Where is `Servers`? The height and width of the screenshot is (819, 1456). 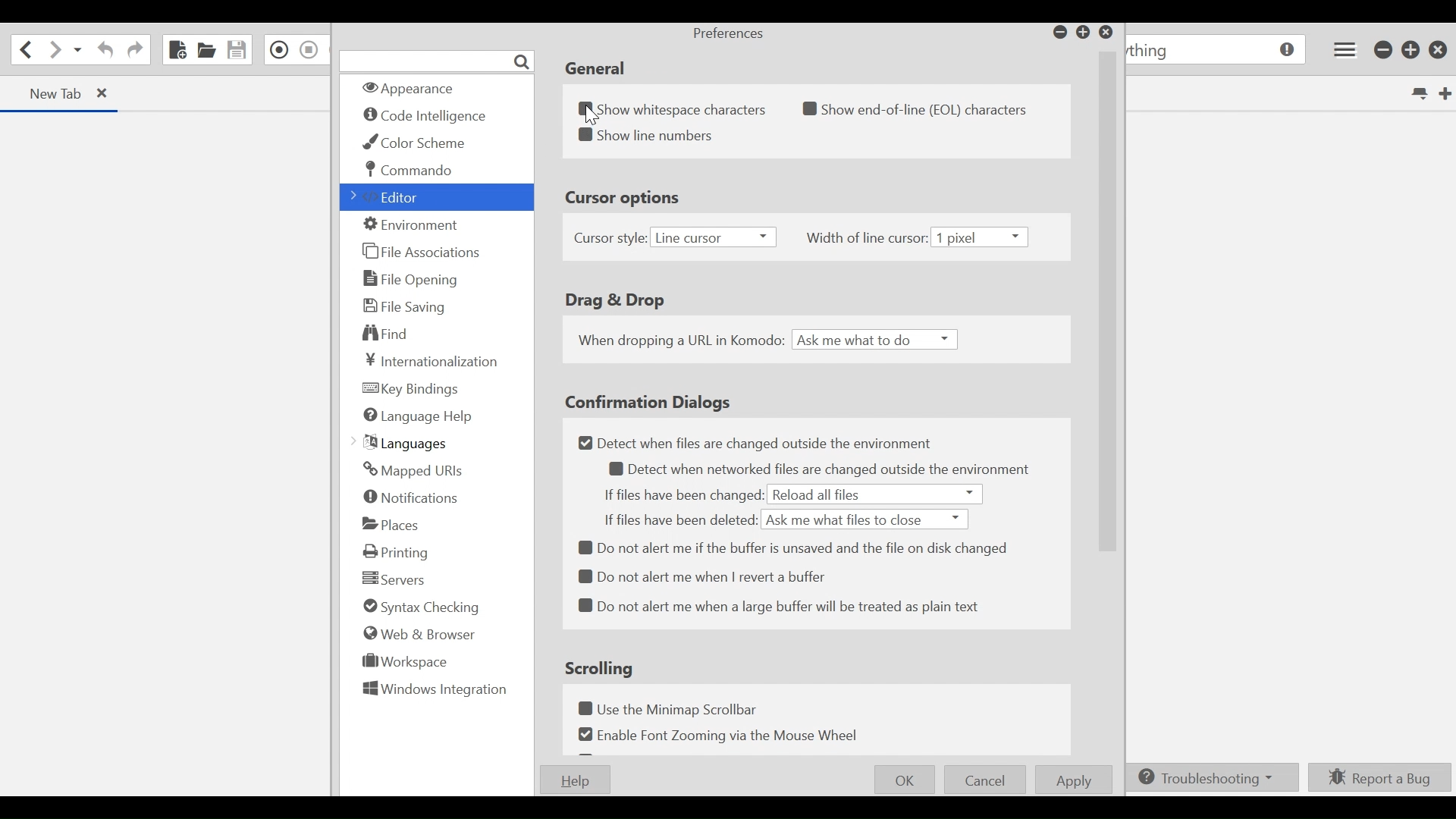
Servers is located at coordinates (394, 578).